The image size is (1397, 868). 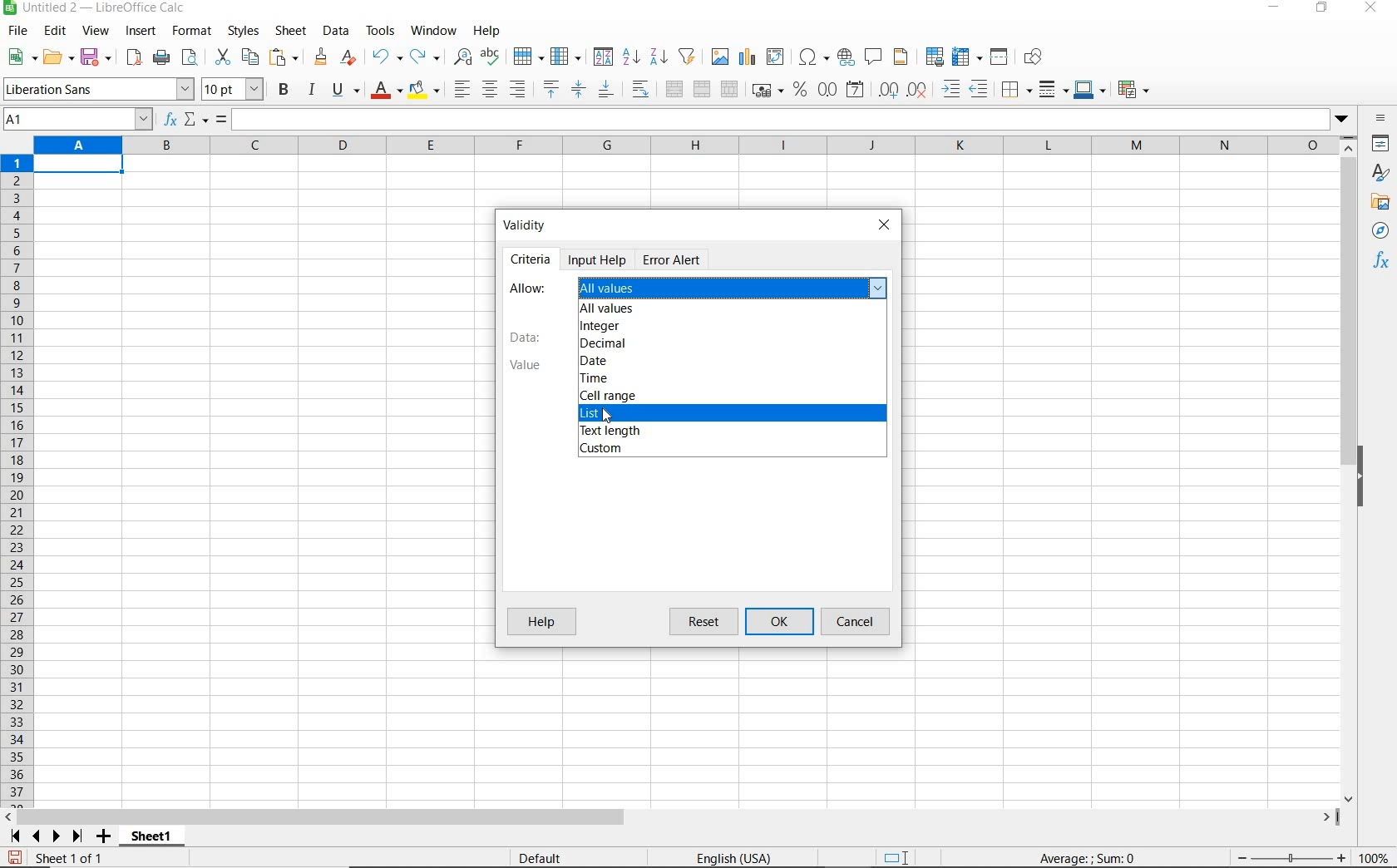 I want to click on clone formatting, so click(x=322, y=57).